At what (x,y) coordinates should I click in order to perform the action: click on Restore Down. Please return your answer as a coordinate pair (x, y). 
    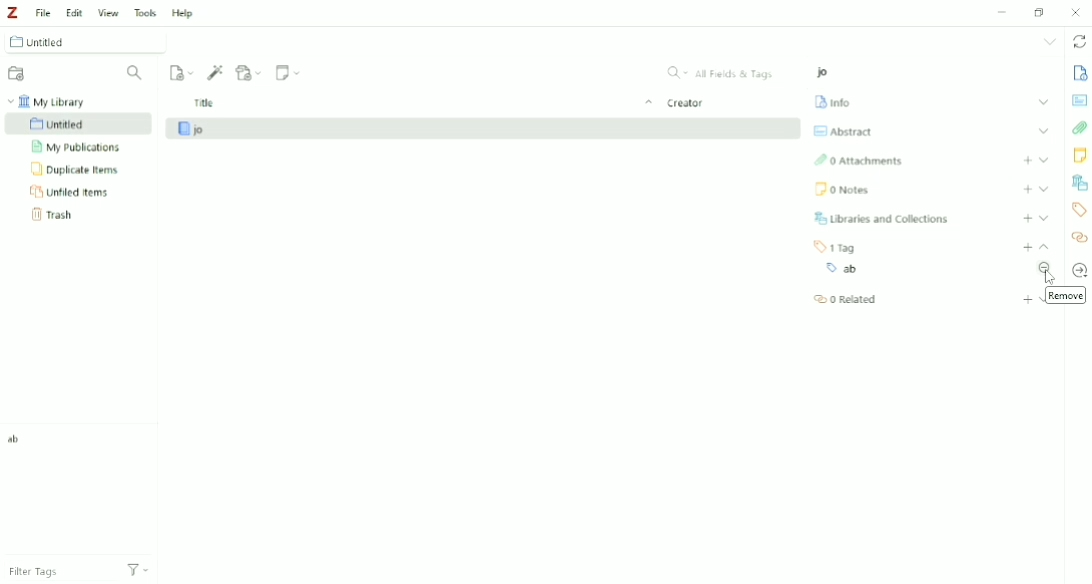
    Looking at the image, I should click on (1039, 13).